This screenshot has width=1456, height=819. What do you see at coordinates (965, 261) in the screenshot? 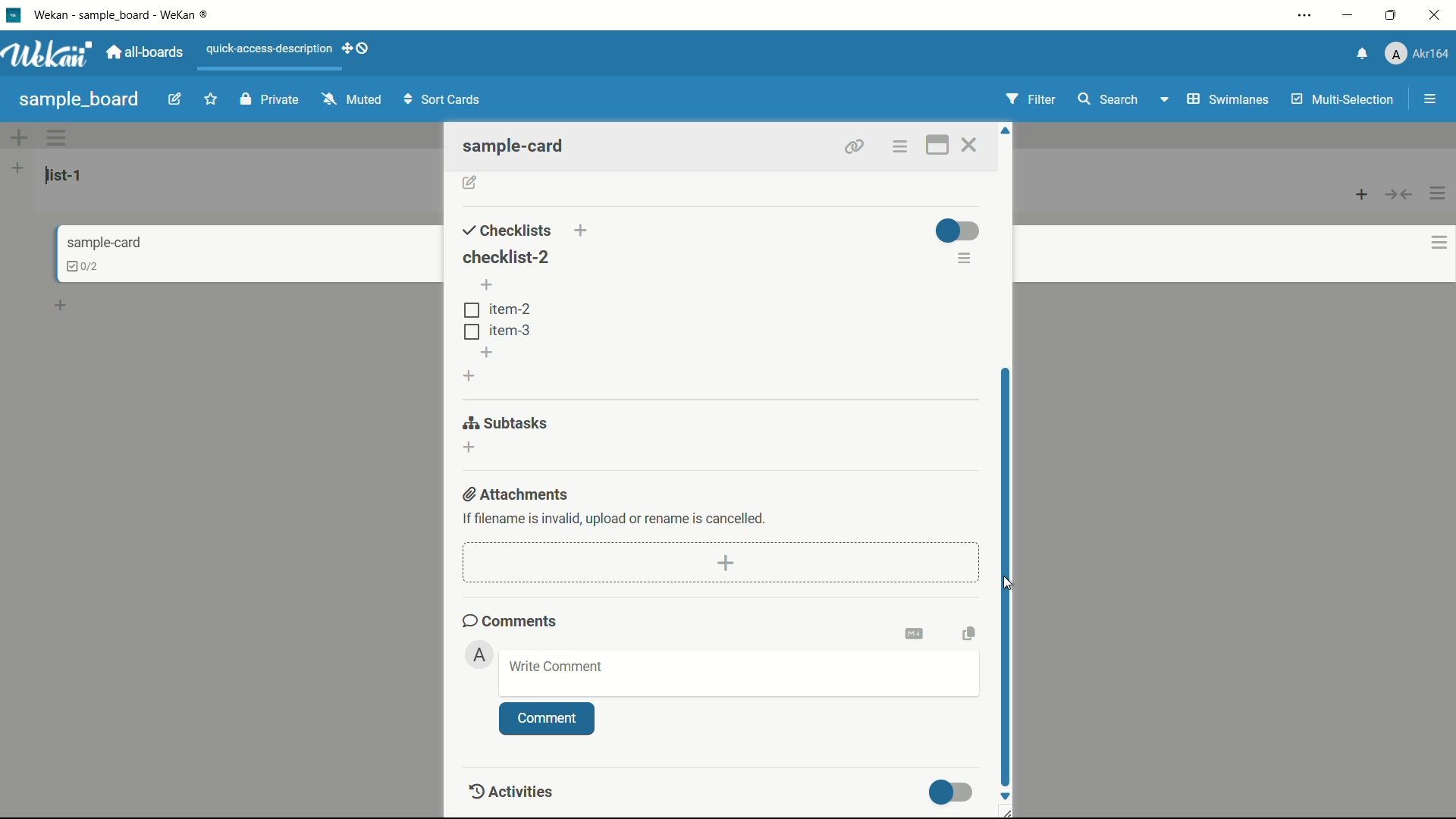
I see `checklist actions` at bounding box center [965, 261].